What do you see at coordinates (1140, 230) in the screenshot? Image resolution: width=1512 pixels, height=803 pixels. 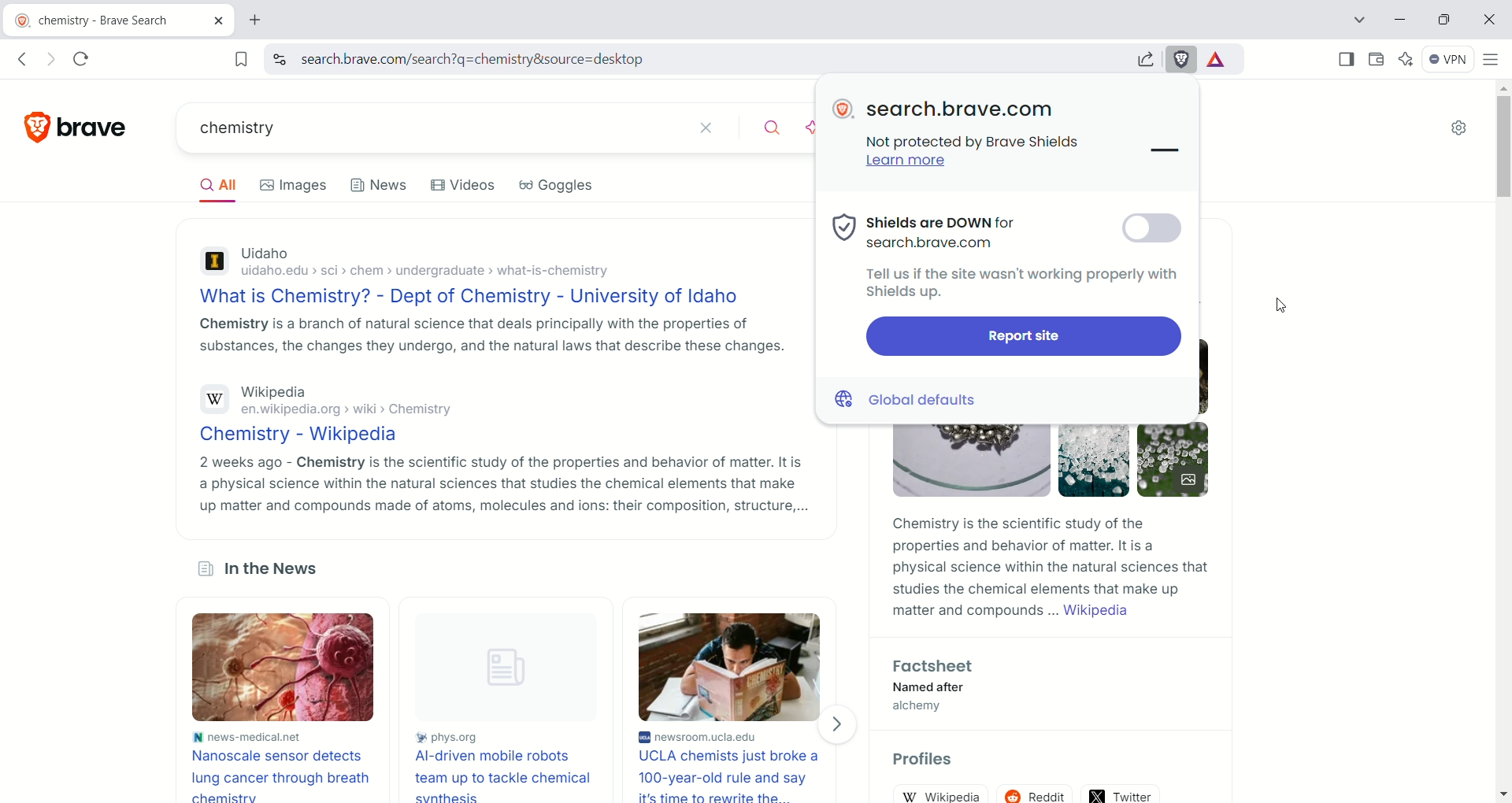 I see `pointer cursor` at bounding box center [1140, 230].